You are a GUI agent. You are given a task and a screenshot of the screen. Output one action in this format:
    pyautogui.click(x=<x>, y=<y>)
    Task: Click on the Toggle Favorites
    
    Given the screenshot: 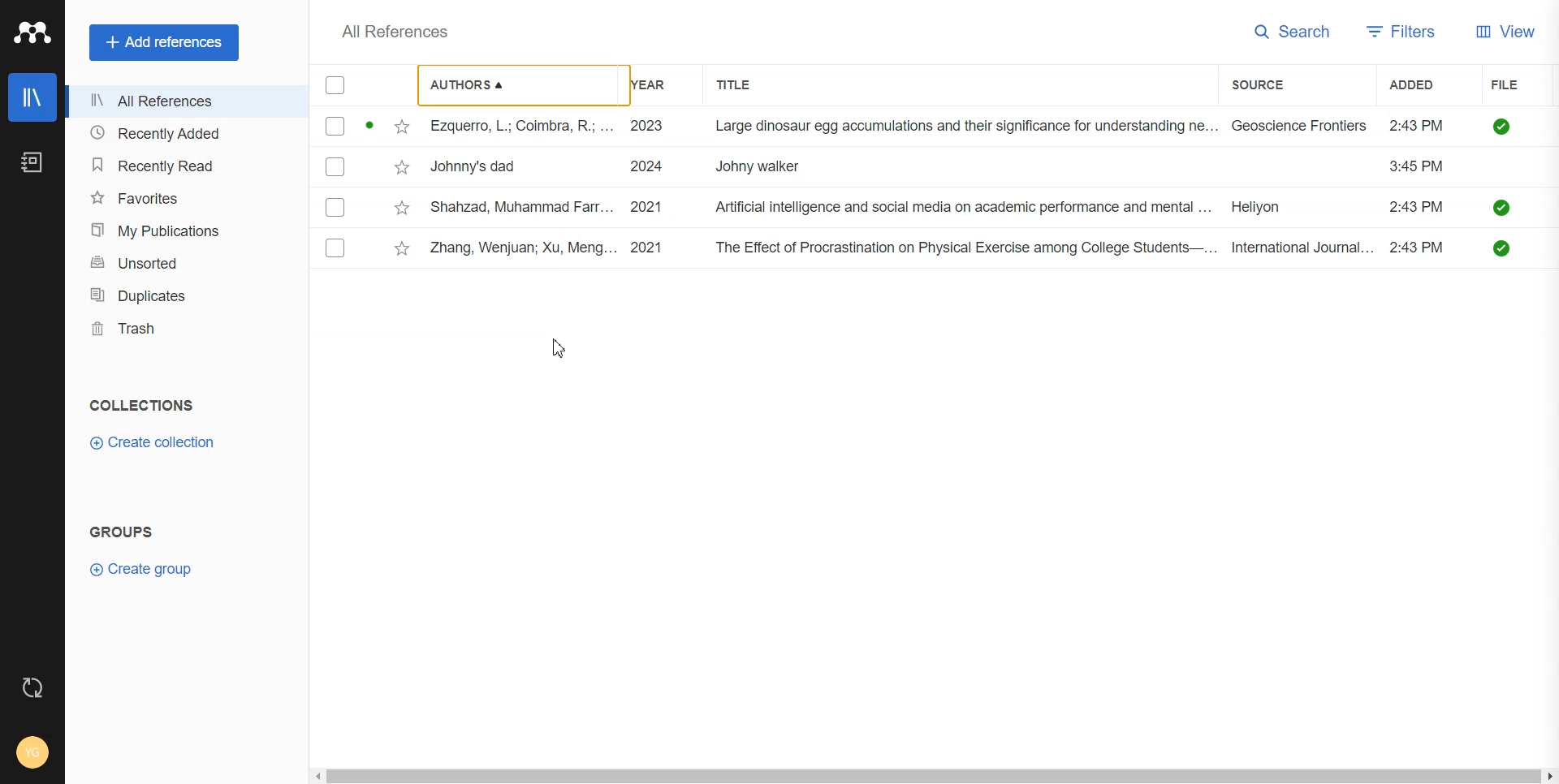 What is the action you would take?
    pyautogui.click(x=403, y=249)
    